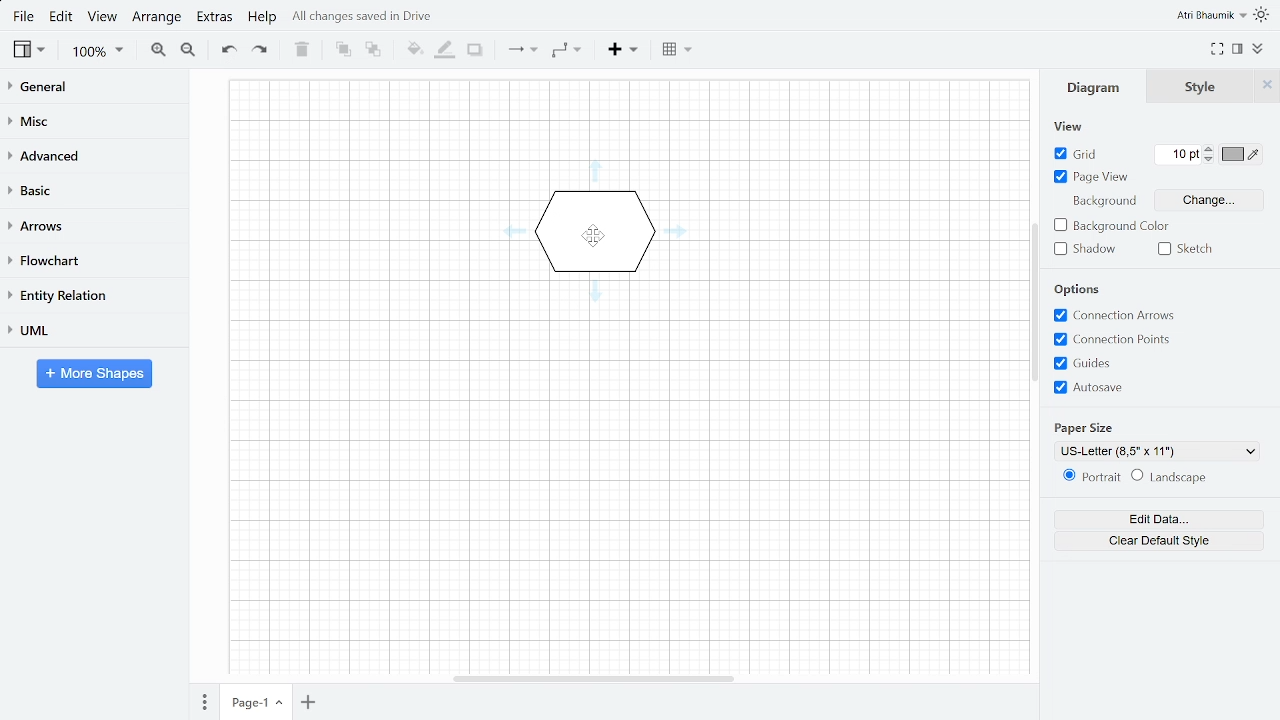 Image resolution: width=1280 pixels, height=720 pixels. What do you see at coordinates (1216, 48) in the screenshot?
I see `Full screen` at bounding box center [1216, 48].